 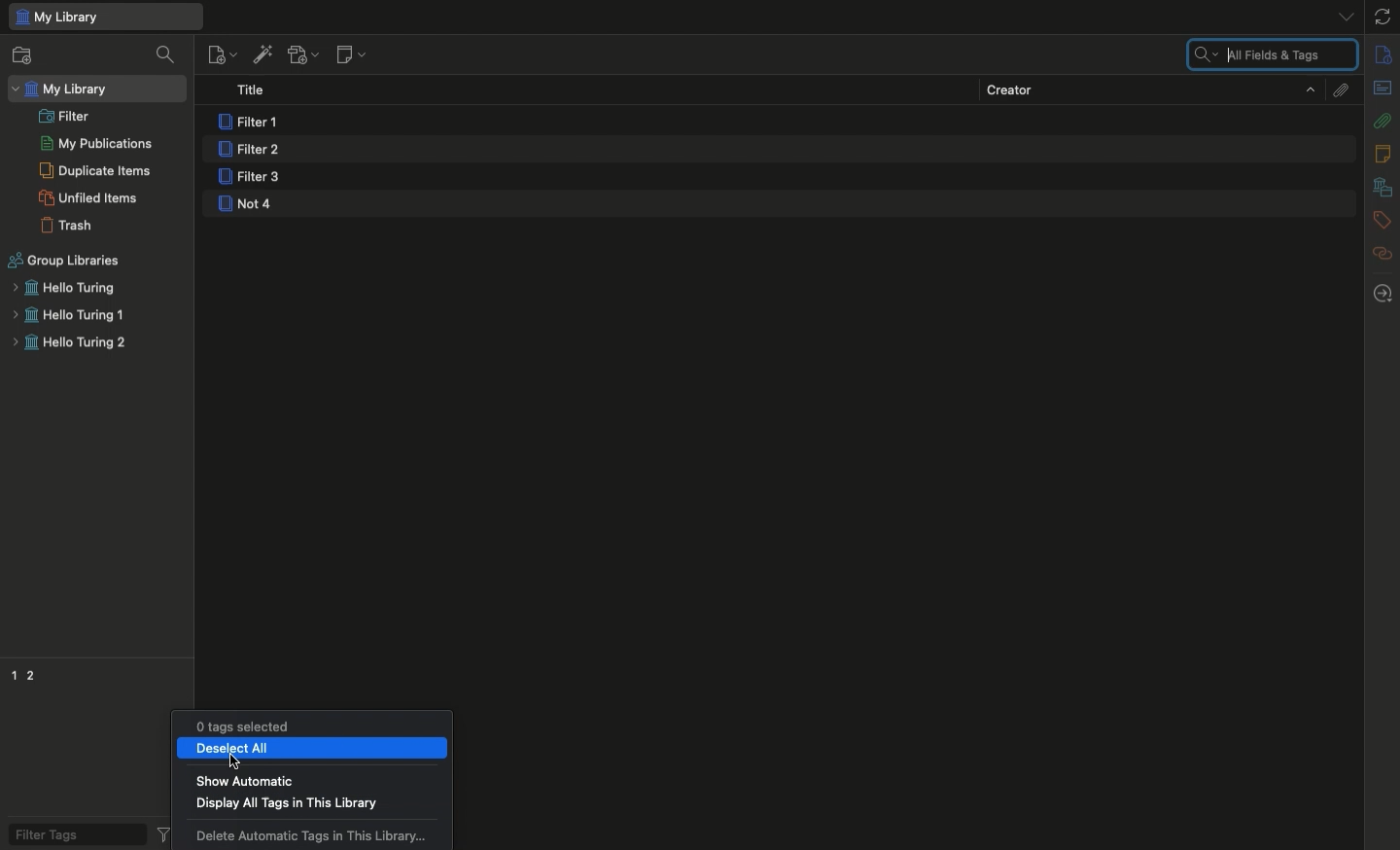 I want to click on cursor, so click(x=235, y=761).